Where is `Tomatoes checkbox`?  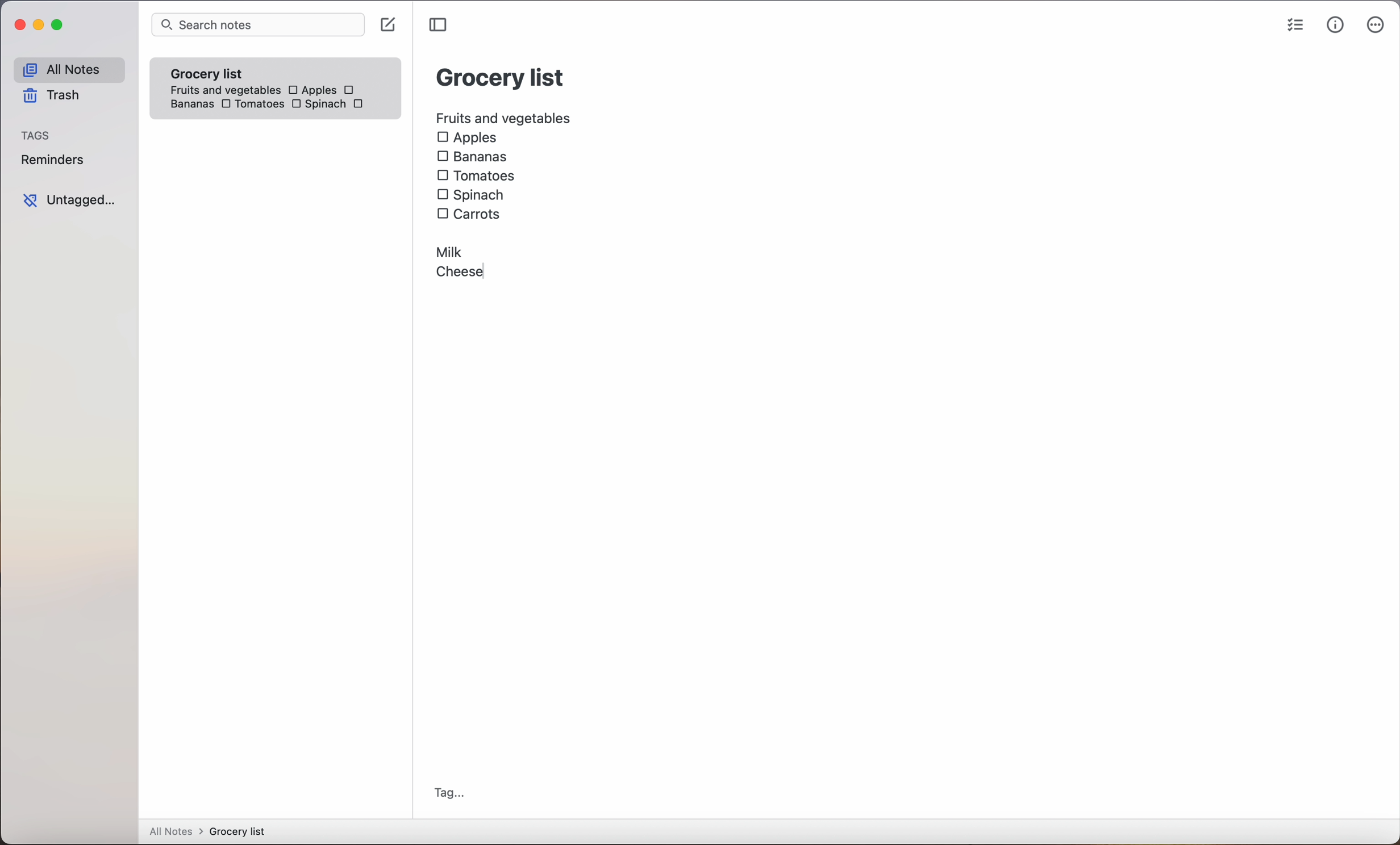 Tomatoes checkbox is located at coordinates (251, 105).